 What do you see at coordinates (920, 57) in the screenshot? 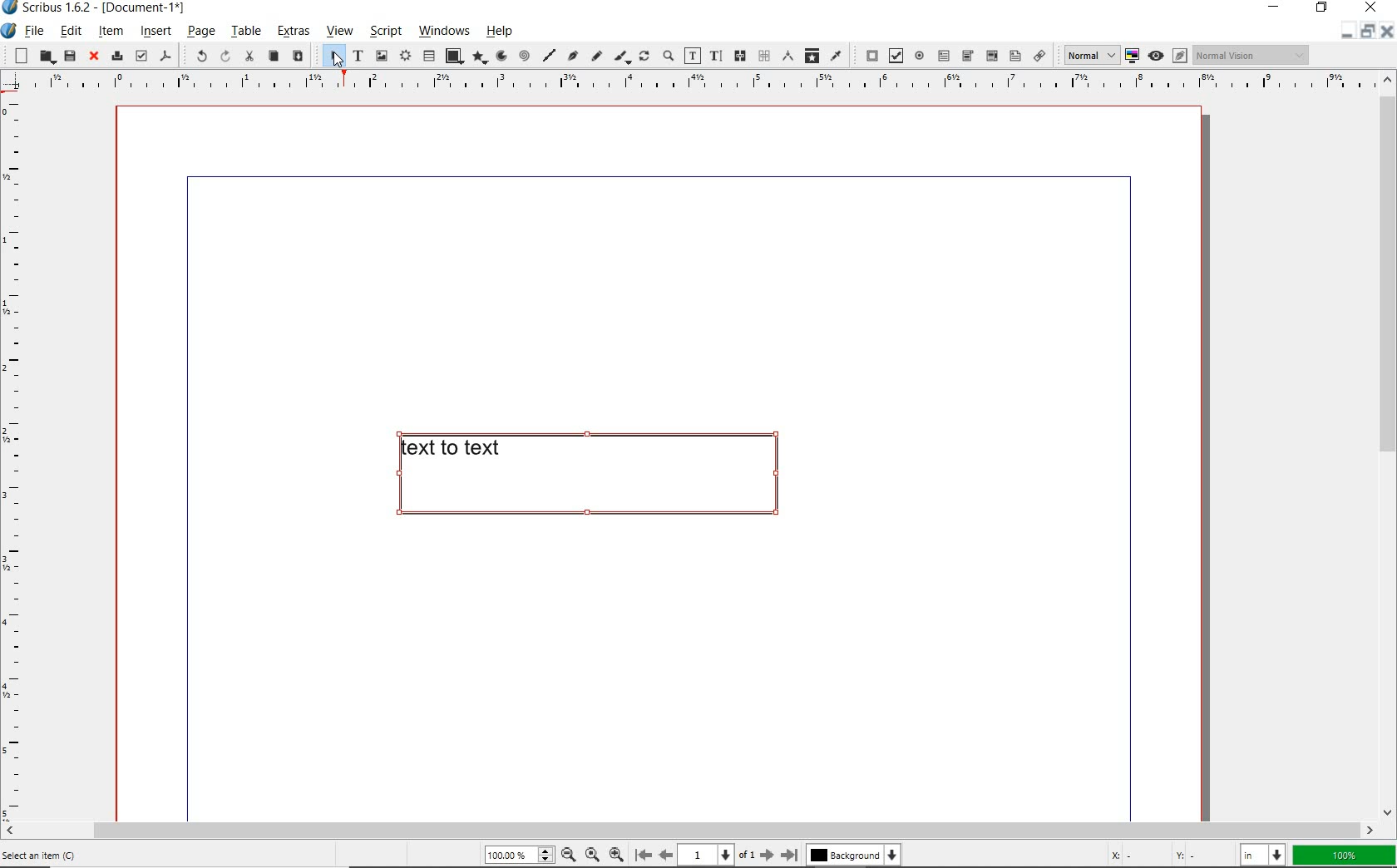
I see `pdf radio button` at bounding box center [920, 57].